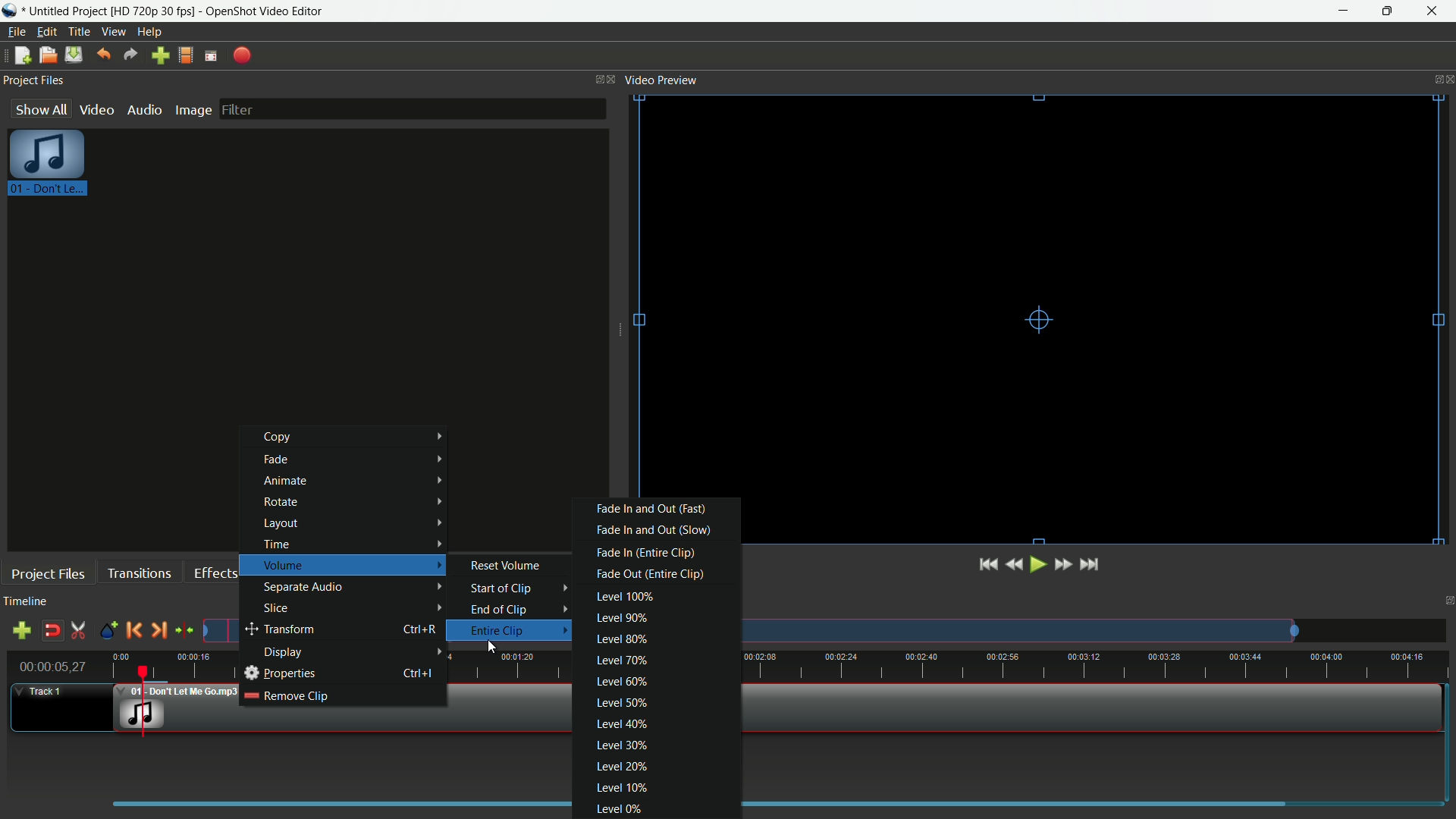  Describe the element at coordinates (1066, 708) in the screenshot. I see `video in timeline` at that location.